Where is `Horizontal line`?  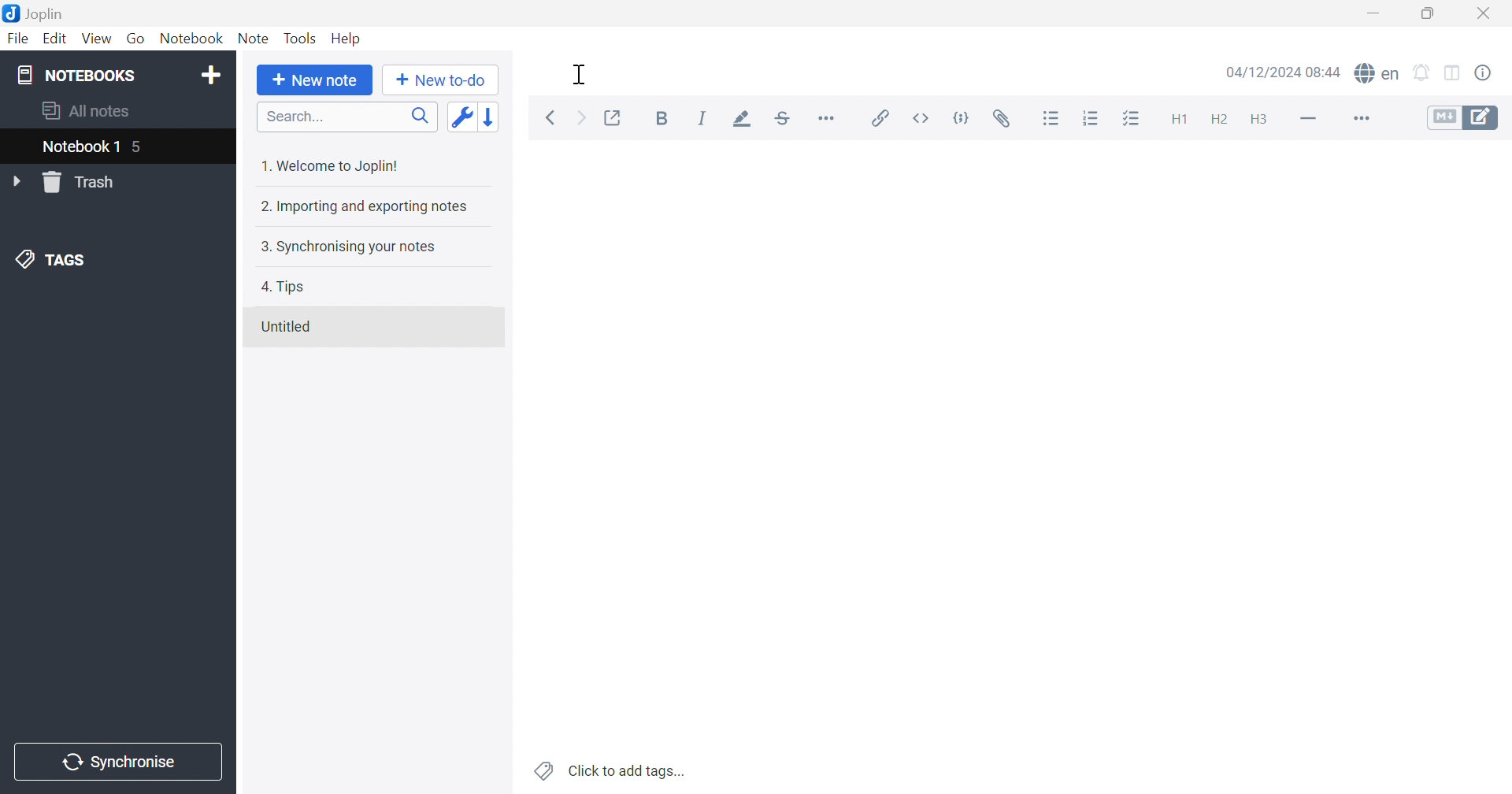 Horizontal line is located at coordinates (1308, 120).